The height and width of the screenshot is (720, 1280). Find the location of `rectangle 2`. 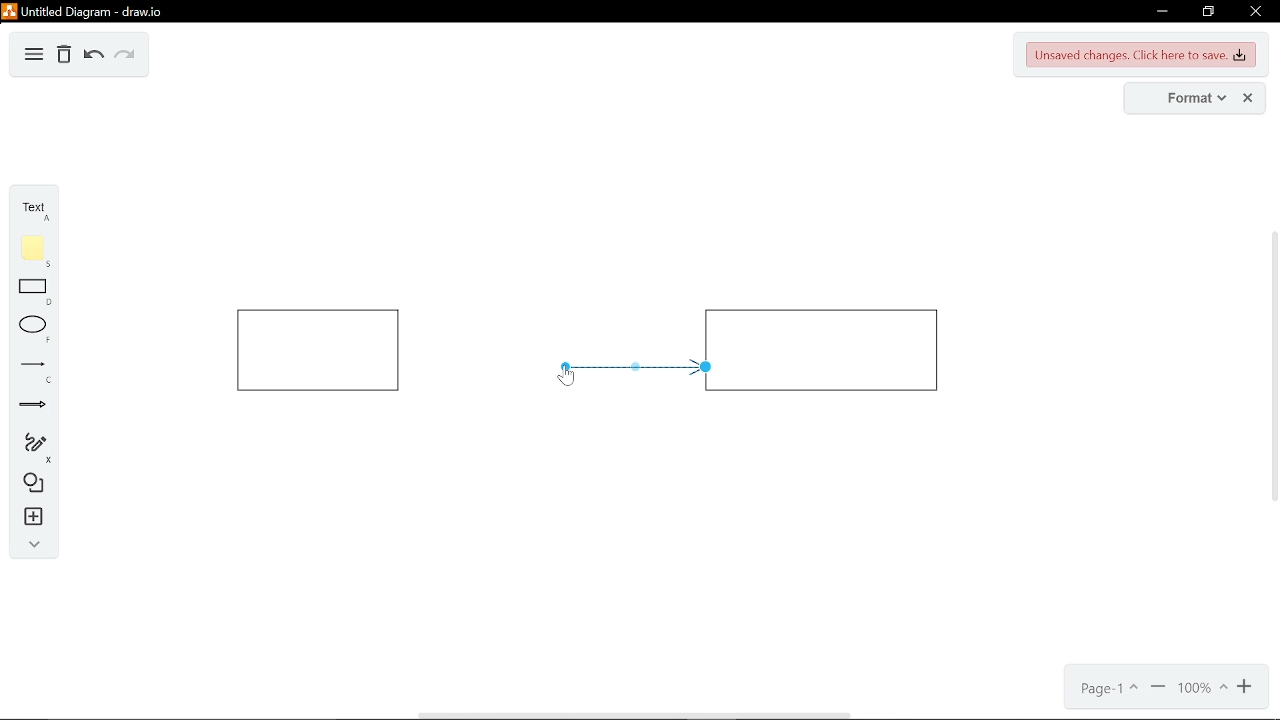

rectangle 2 is located at coordinates (830, 351).